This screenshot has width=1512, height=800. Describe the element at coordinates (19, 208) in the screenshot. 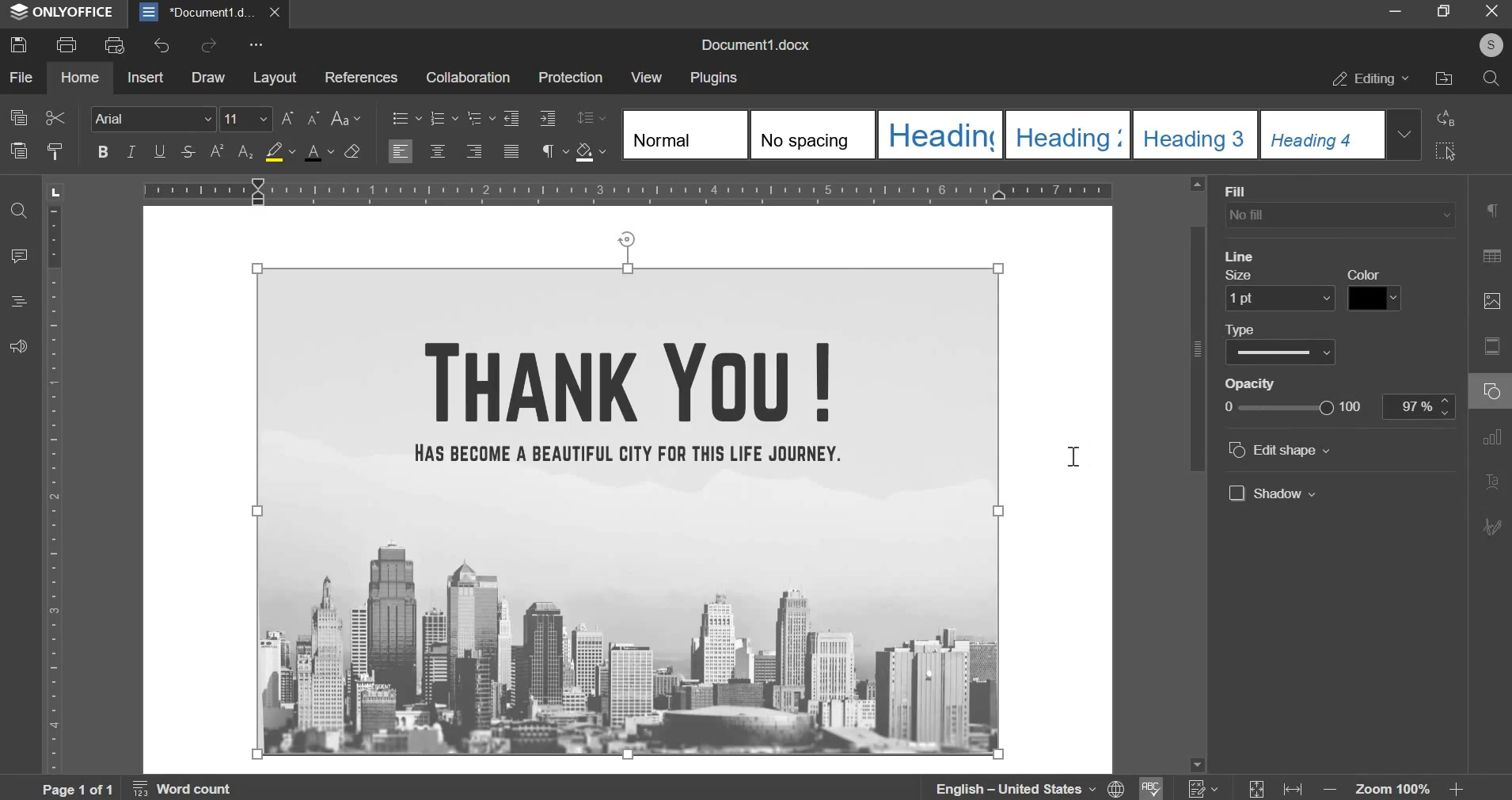

I see `find` at that location.